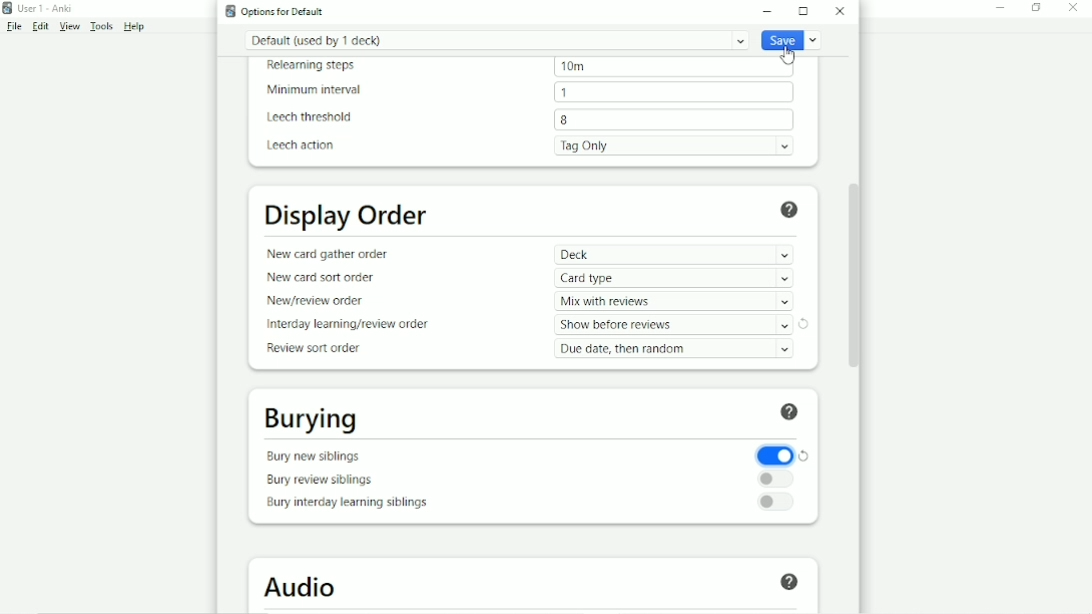 This screenshot has width=1092, height=614. What do you see at coordinates (324, 480) in the screenshot?
I see `Bury review siblings` at bounding box center [324, 480].